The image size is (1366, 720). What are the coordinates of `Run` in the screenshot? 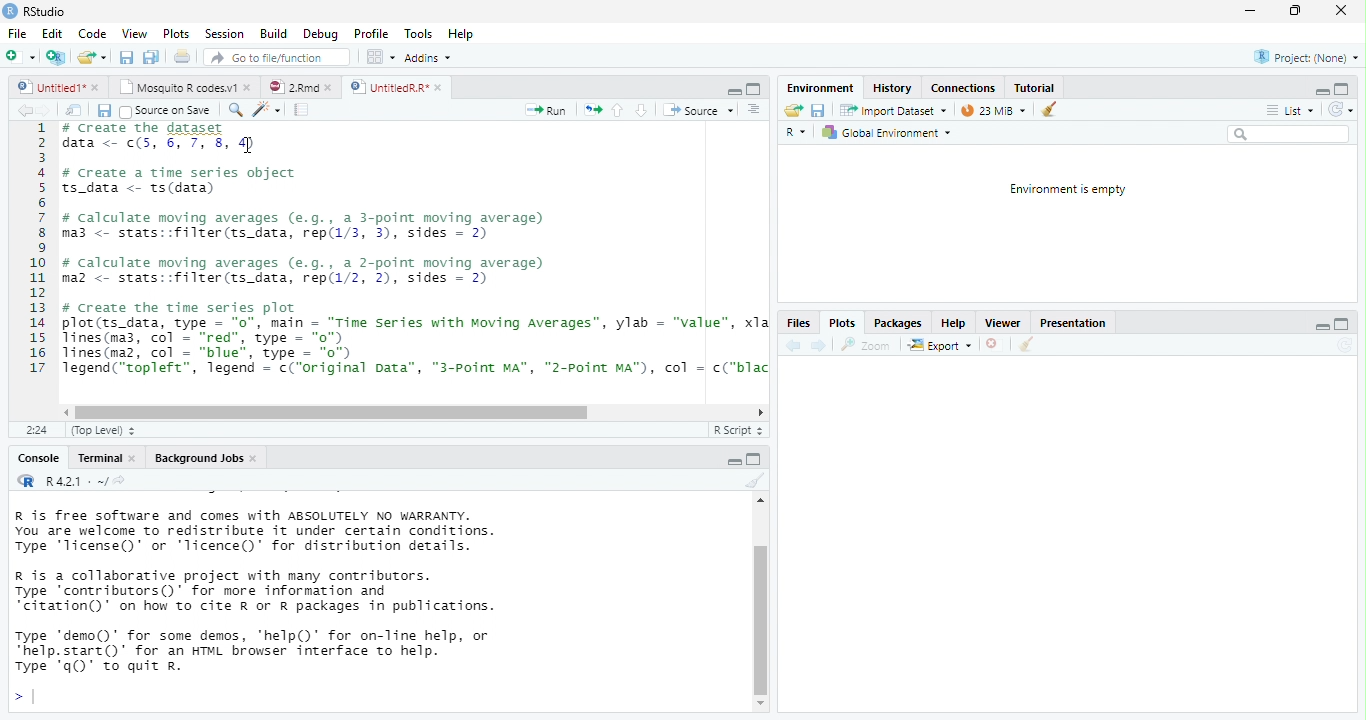 It's located at (547, 111).